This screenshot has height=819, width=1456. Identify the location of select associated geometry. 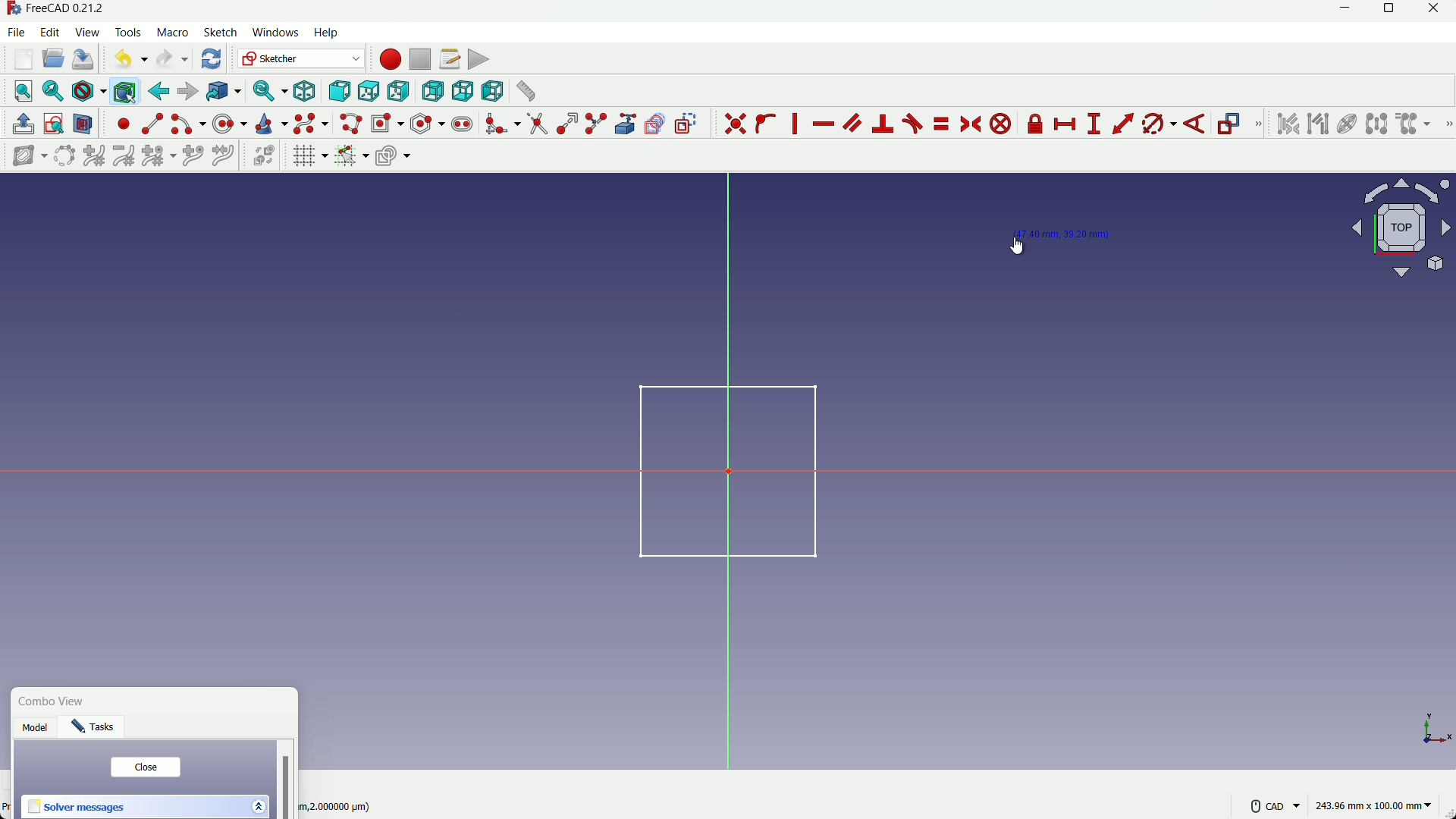
(1318, 125).